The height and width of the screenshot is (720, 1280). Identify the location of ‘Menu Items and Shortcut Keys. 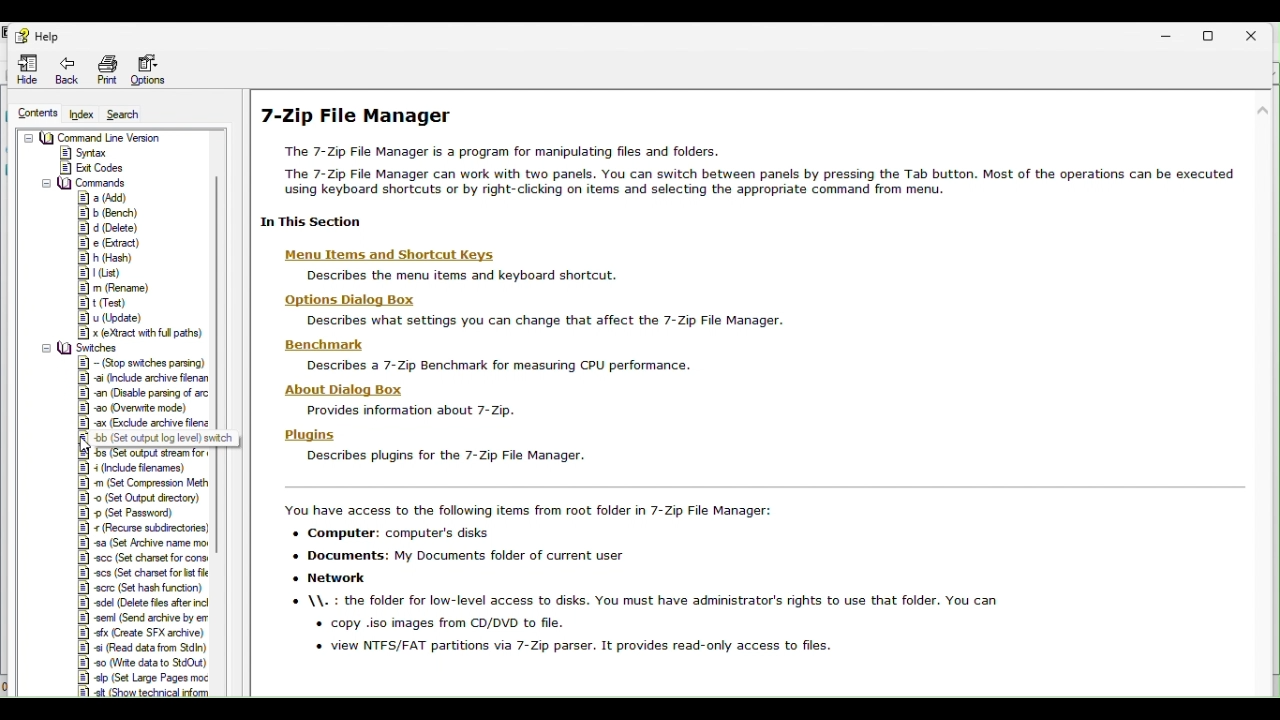
(383, 255).